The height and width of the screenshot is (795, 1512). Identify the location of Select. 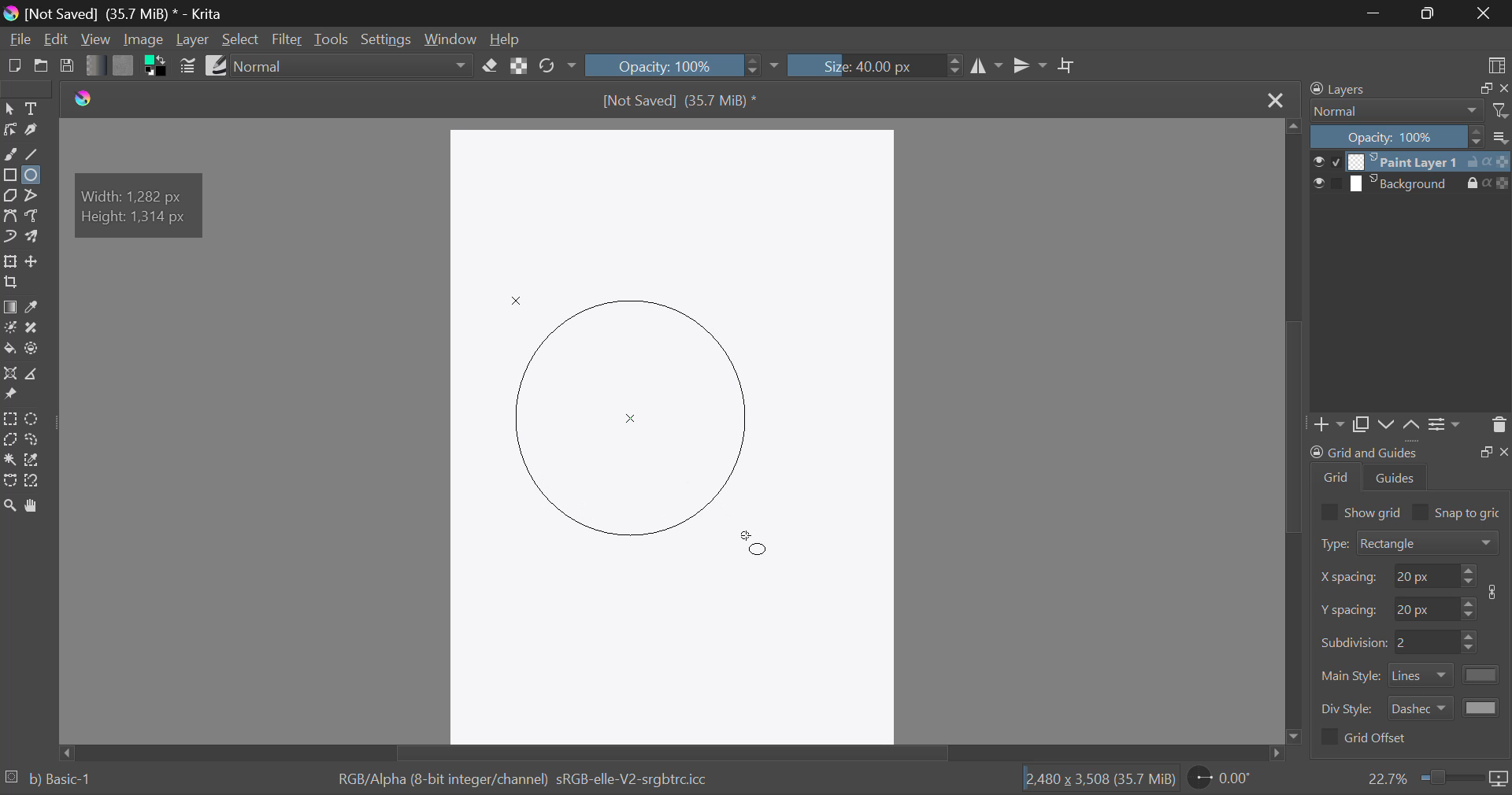
(10, 109).